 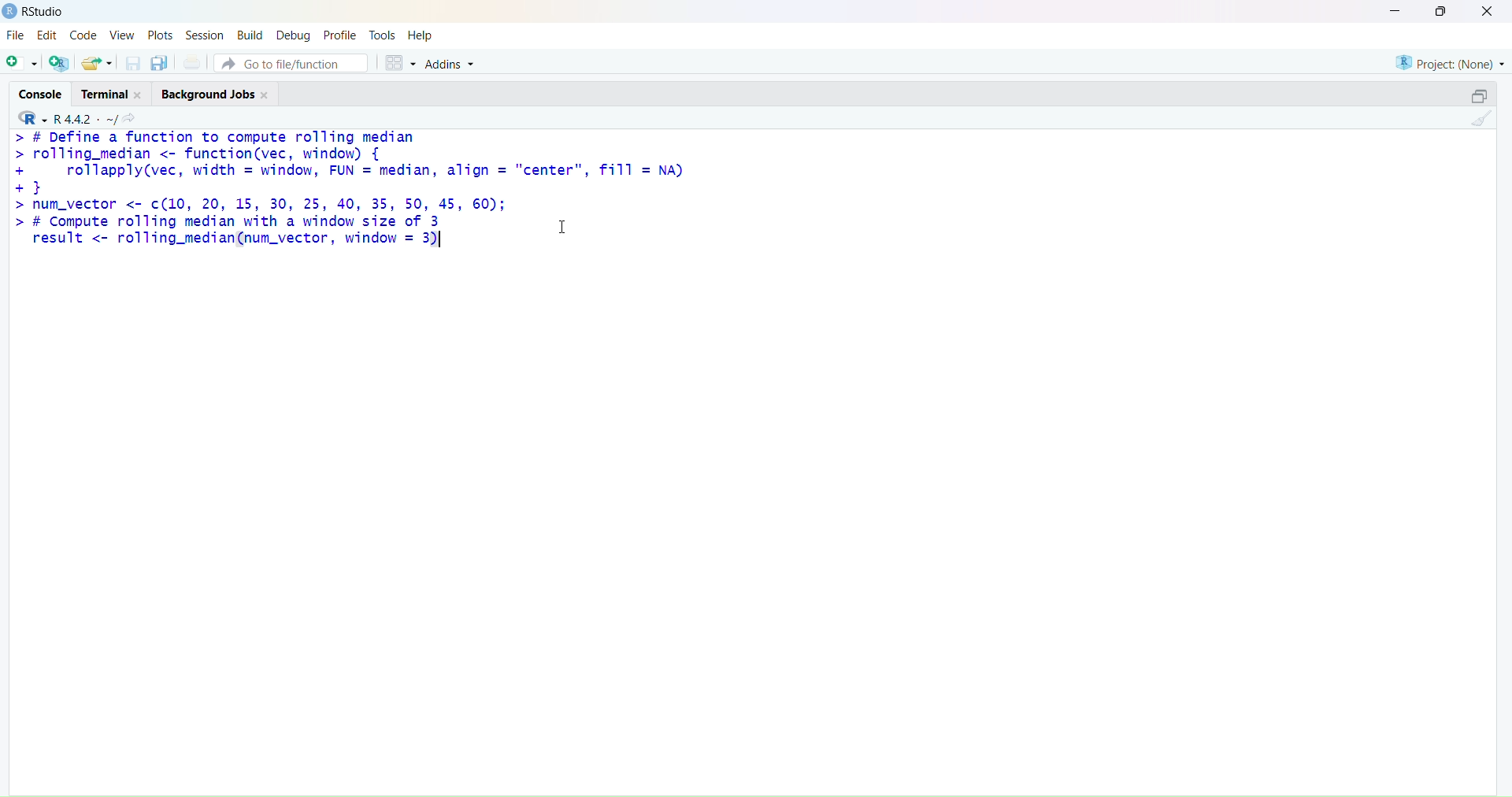 I want to click on profile, so click(x=339, y=35).